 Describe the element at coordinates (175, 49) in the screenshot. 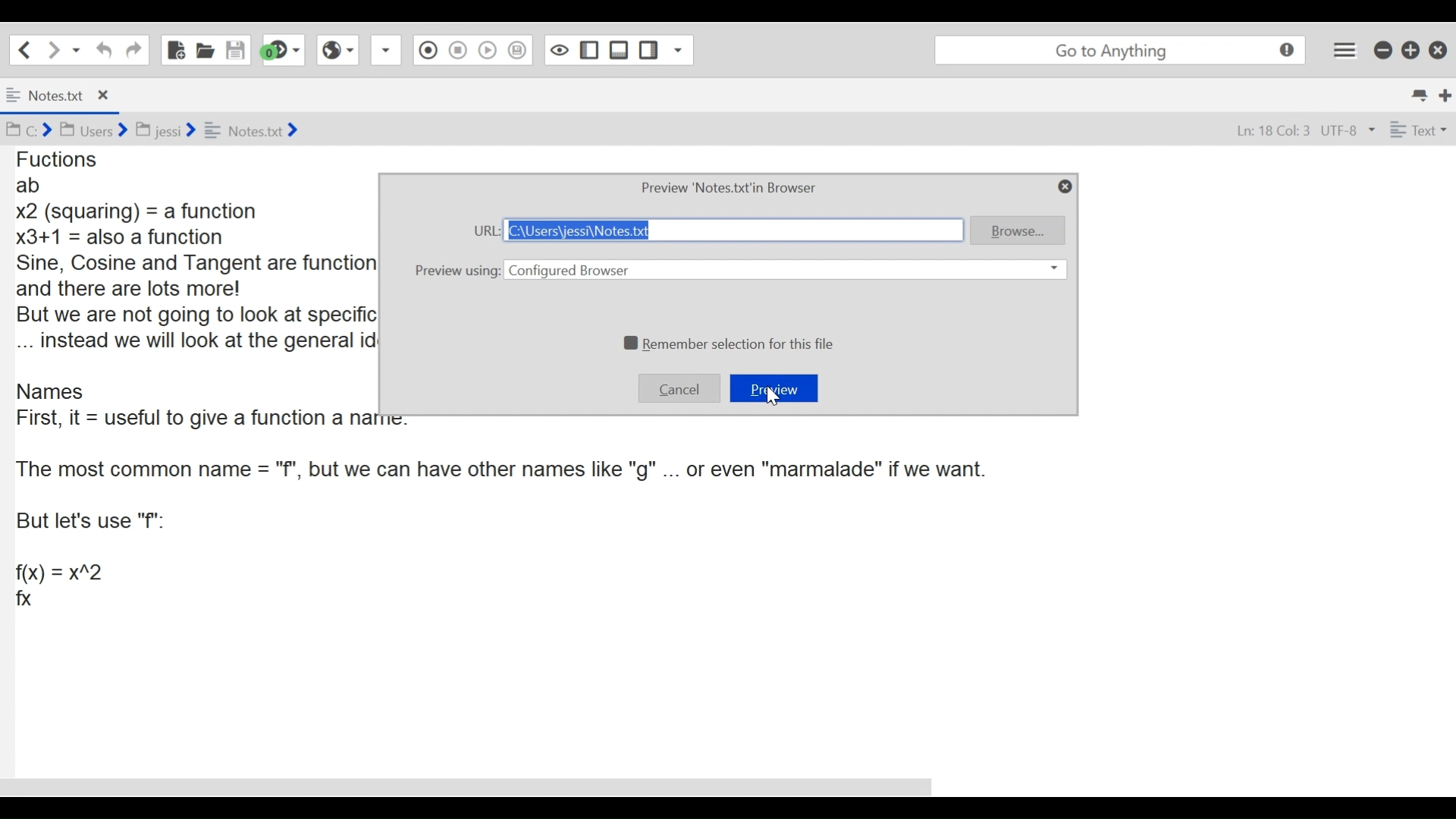

I see `new file` at that location.